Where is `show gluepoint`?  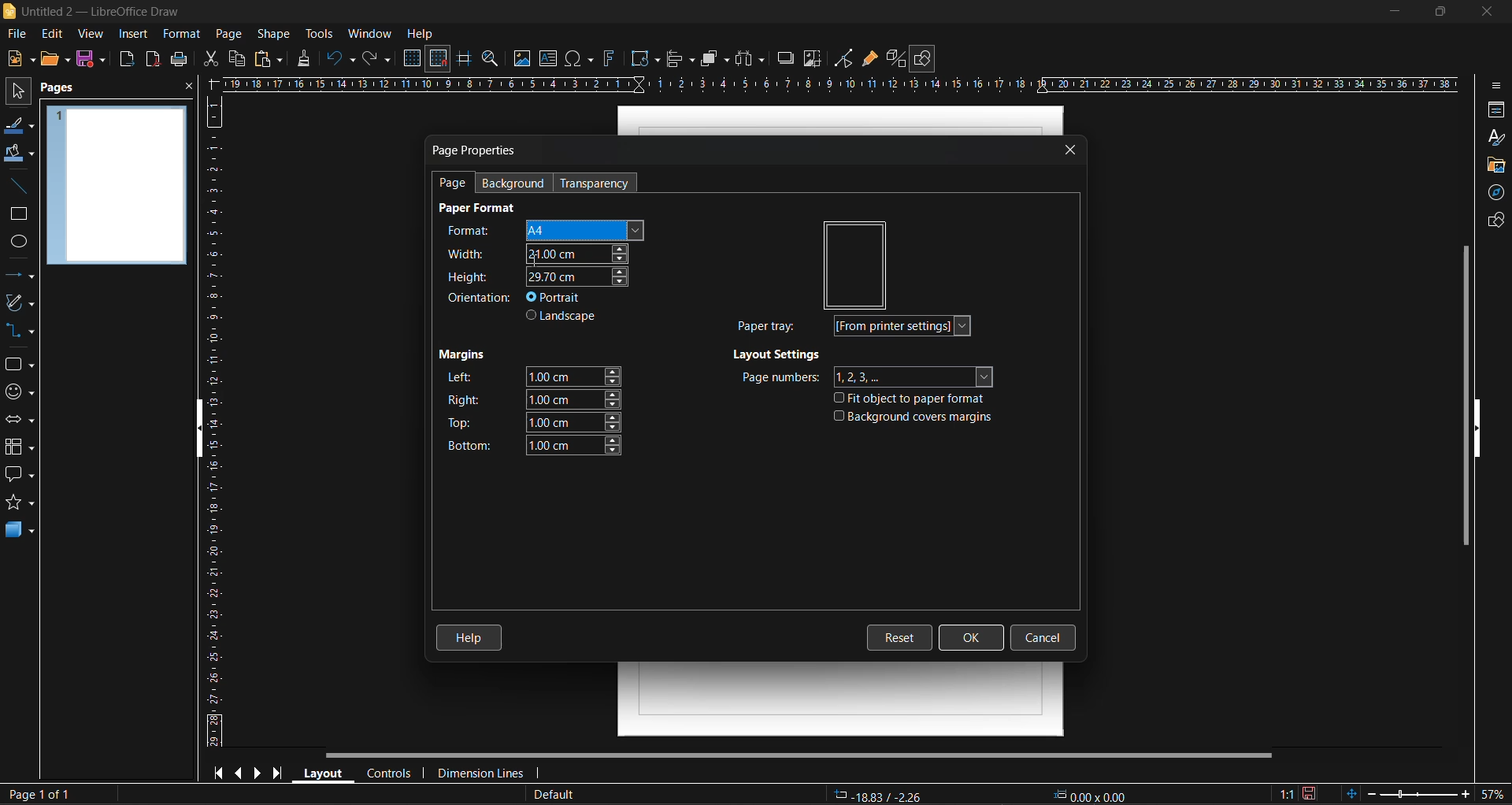
show gluepoint is located at coordinates (869, 61).